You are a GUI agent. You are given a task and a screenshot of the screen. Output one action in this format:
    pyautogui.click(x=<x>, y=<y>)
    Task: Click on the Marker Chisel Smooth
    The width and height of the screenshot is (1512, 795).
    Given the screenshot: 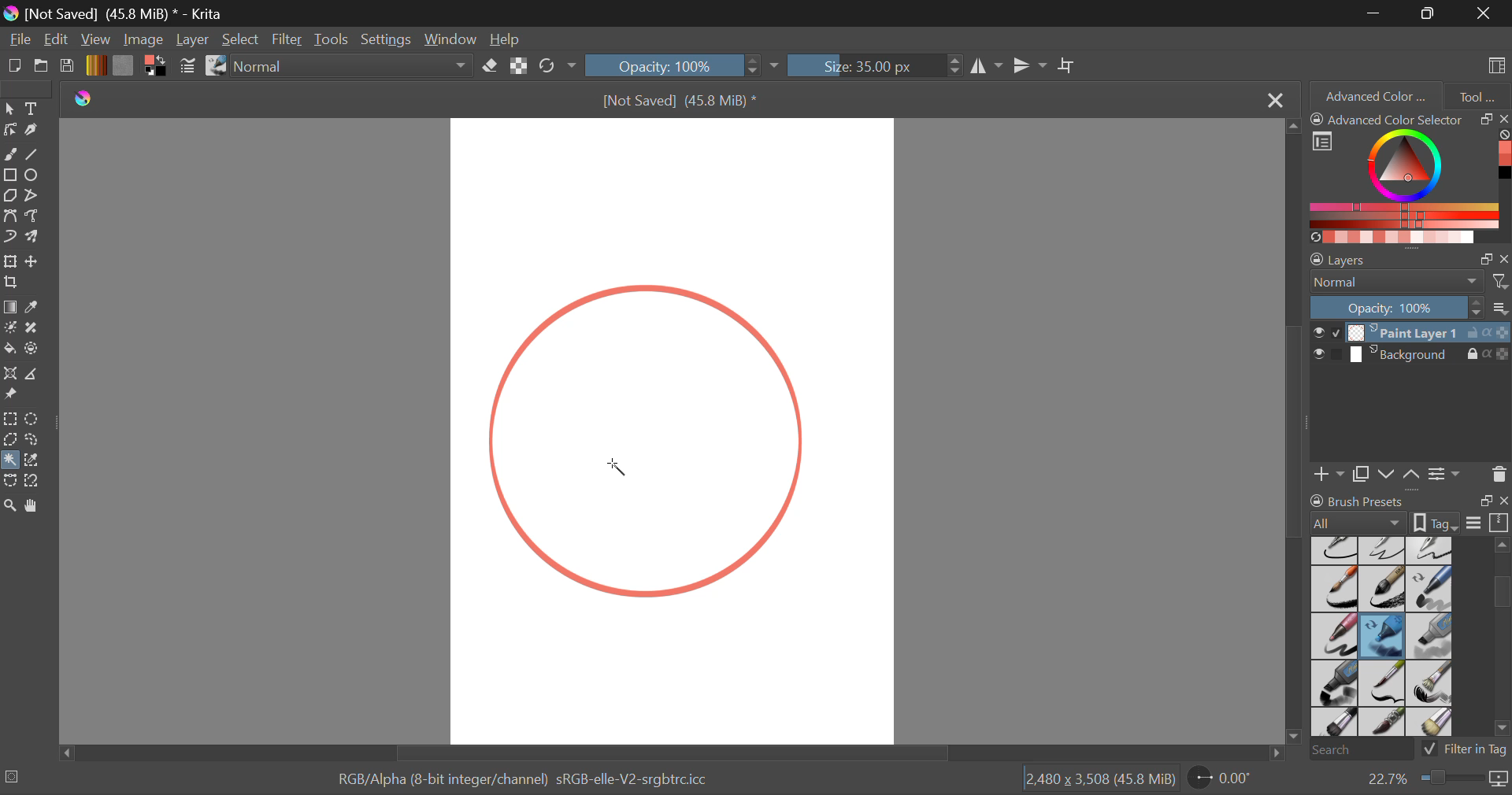 What is the action you would take?
    pyautogui.click(x=1430, y=588)
    